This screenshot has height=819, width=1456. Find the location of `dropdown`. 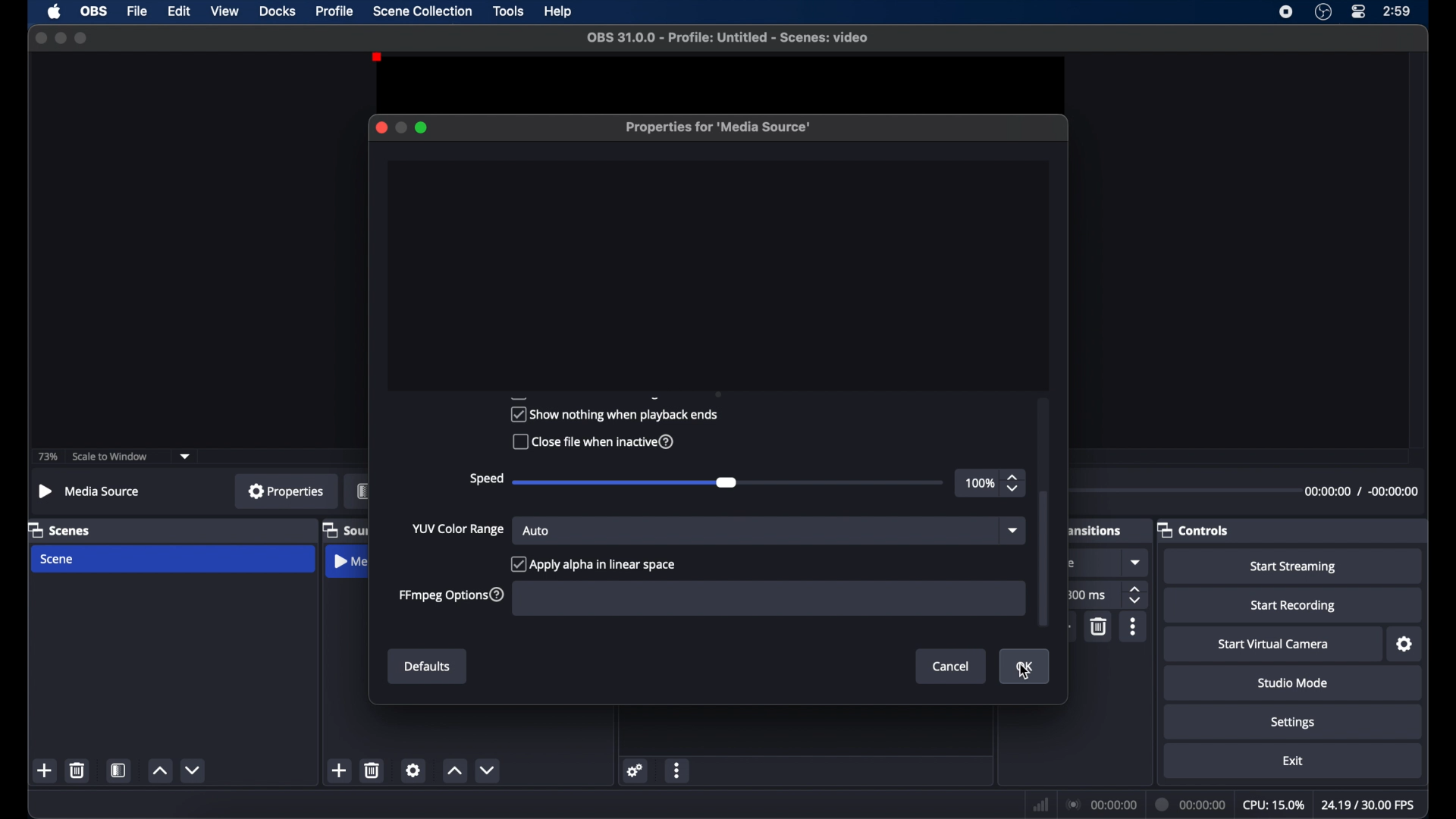

dropdown is located at coordinates (1015, 532).